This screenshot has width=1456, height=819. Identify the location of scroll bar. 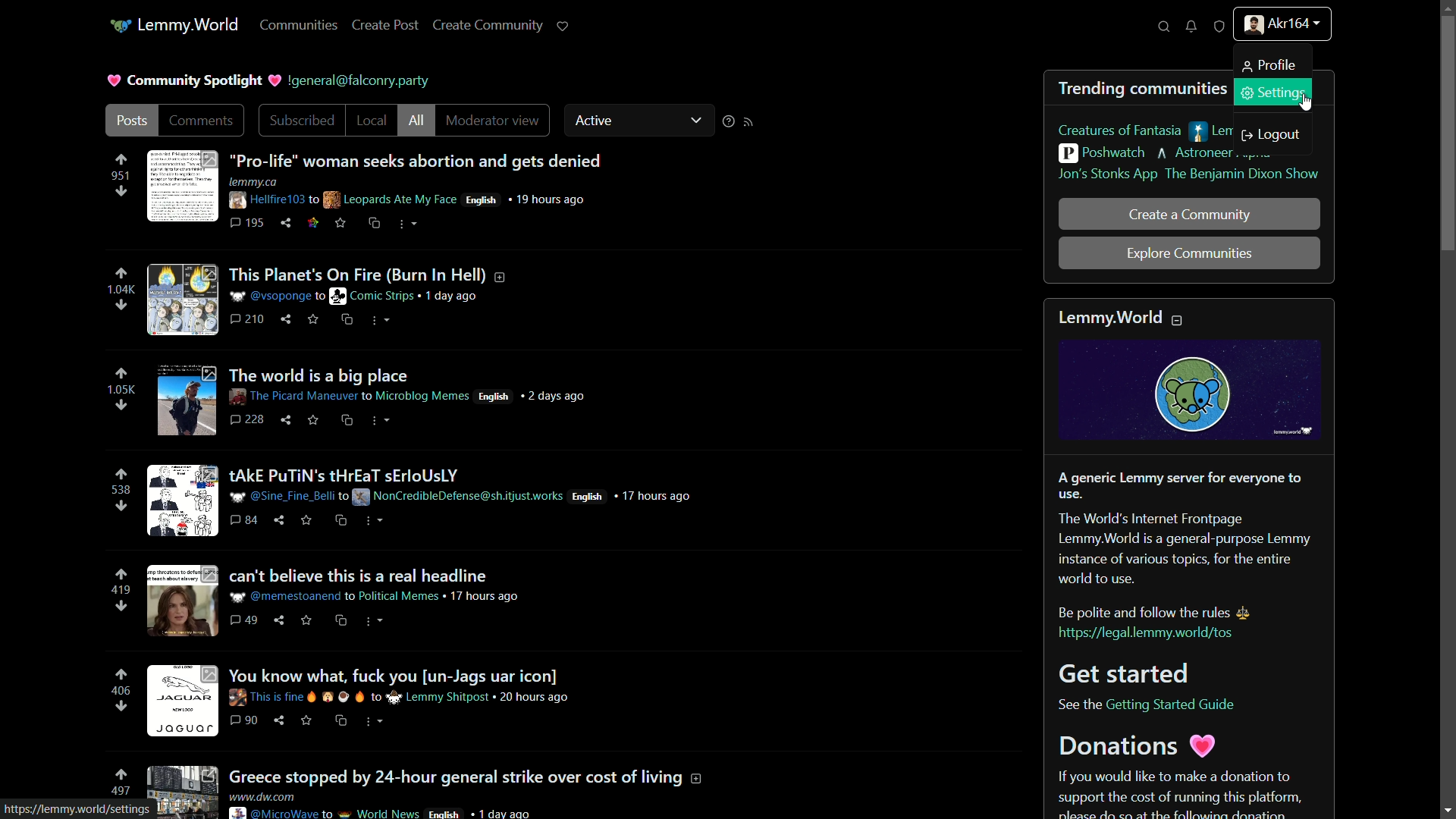
(1448, 411).